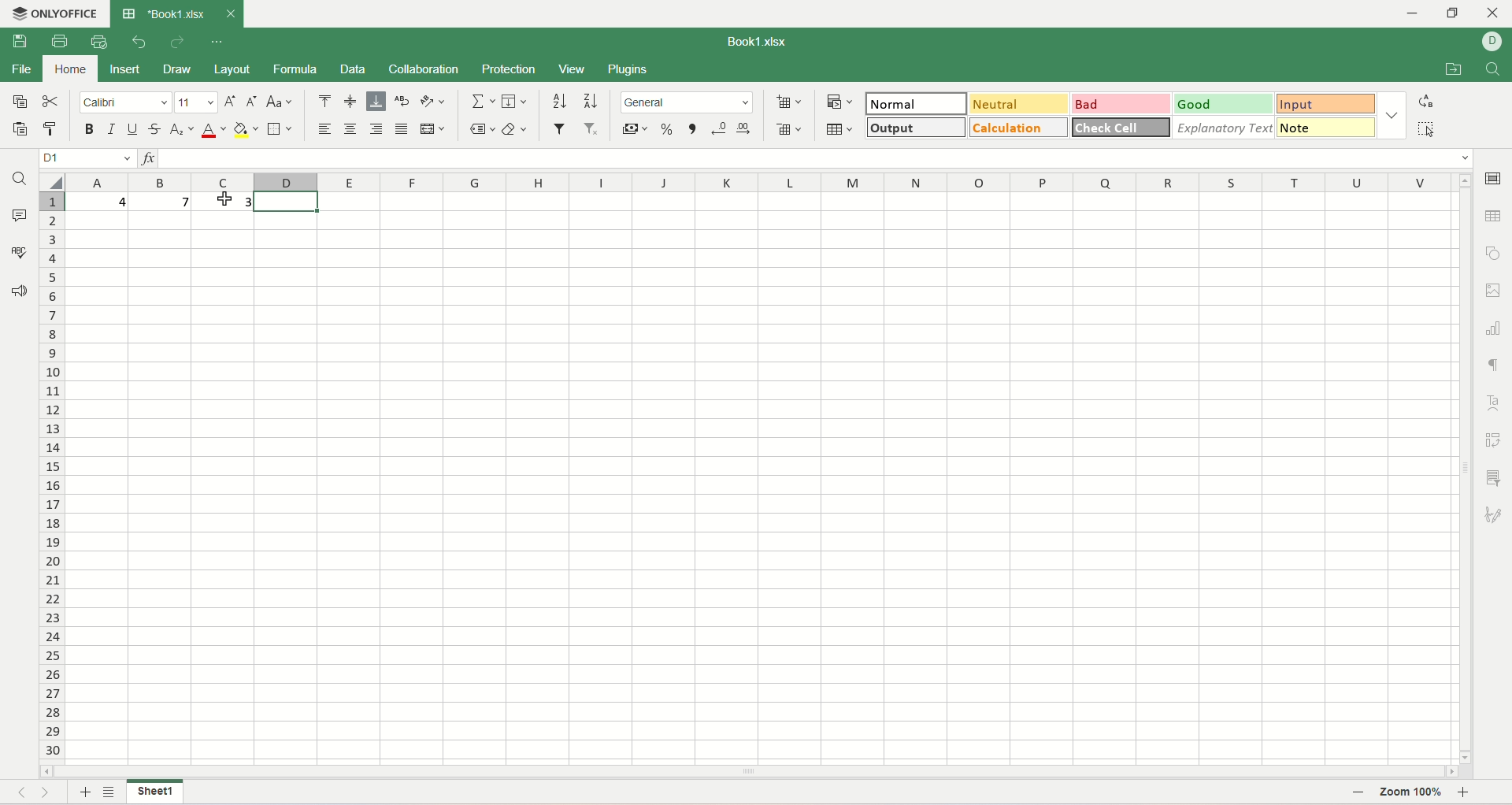  Describe the element at coordinates (128, 13) in the screenshot. I see `application icon` at that location.